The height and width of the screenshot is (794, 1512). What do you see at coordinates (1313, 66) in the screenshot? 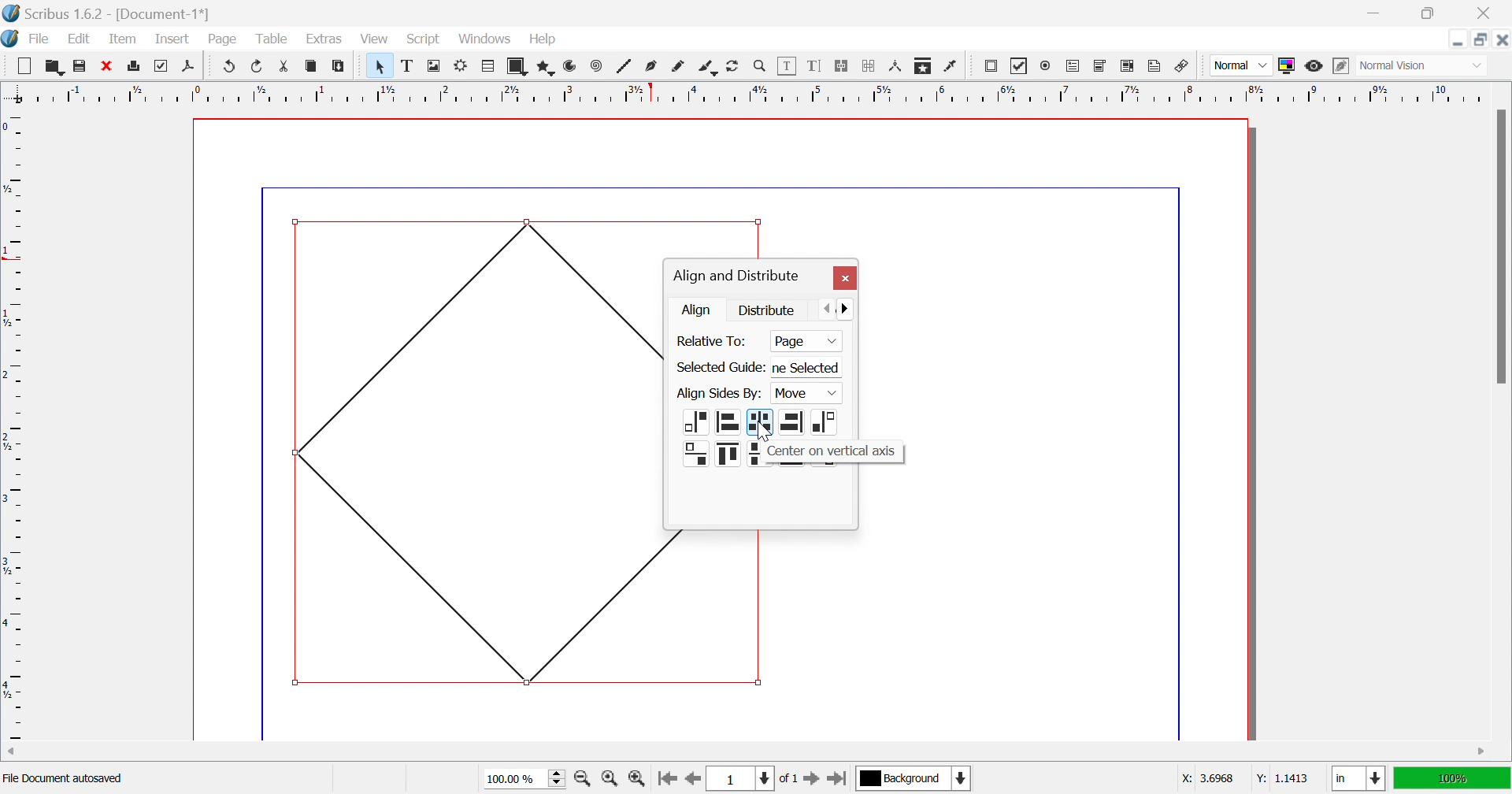
I see `Preview mode` at bounding box center [1313, 66].